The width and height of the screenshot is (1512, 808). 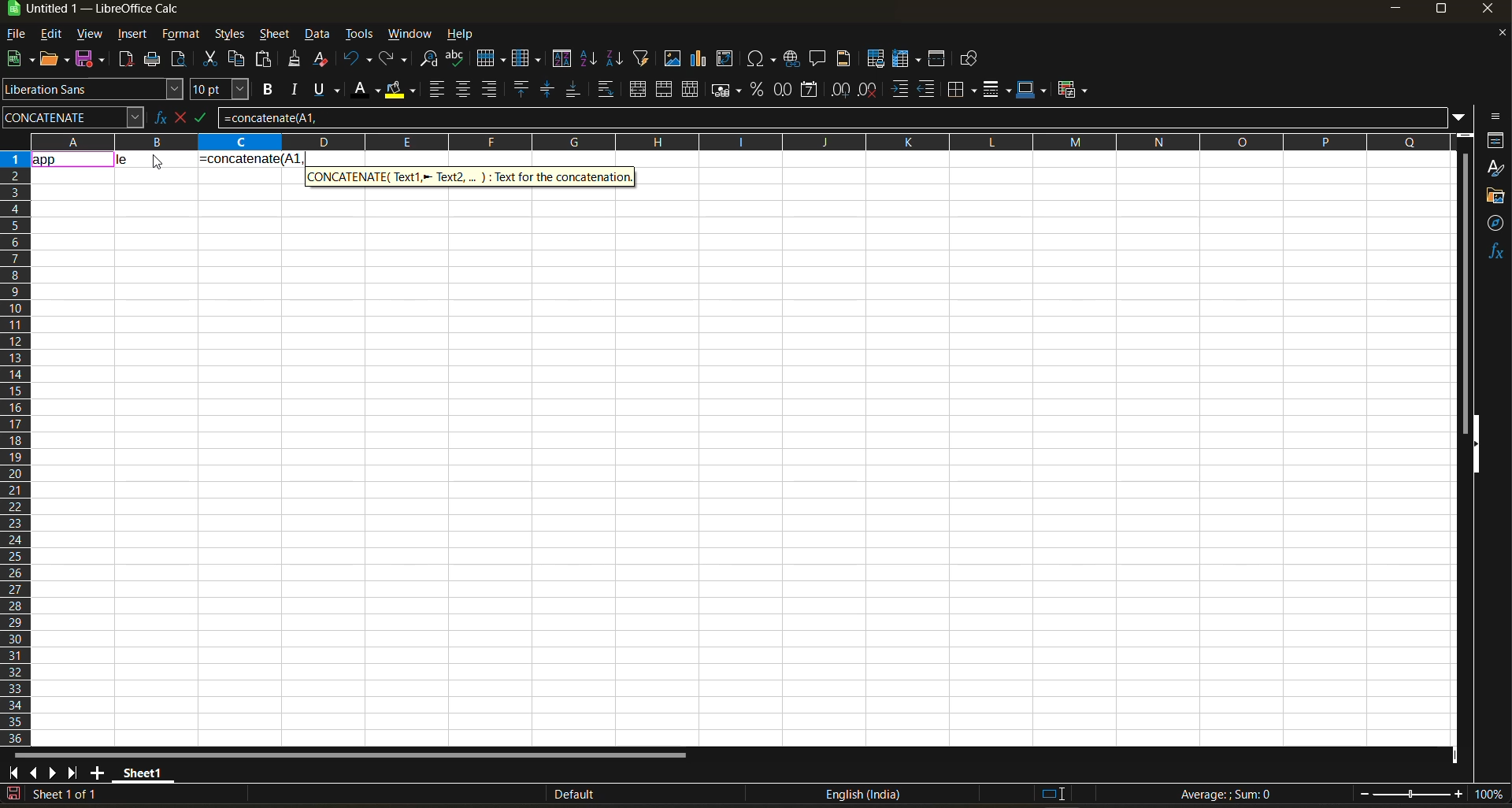 I want to click on merge and center, so click(x=638, y=91).